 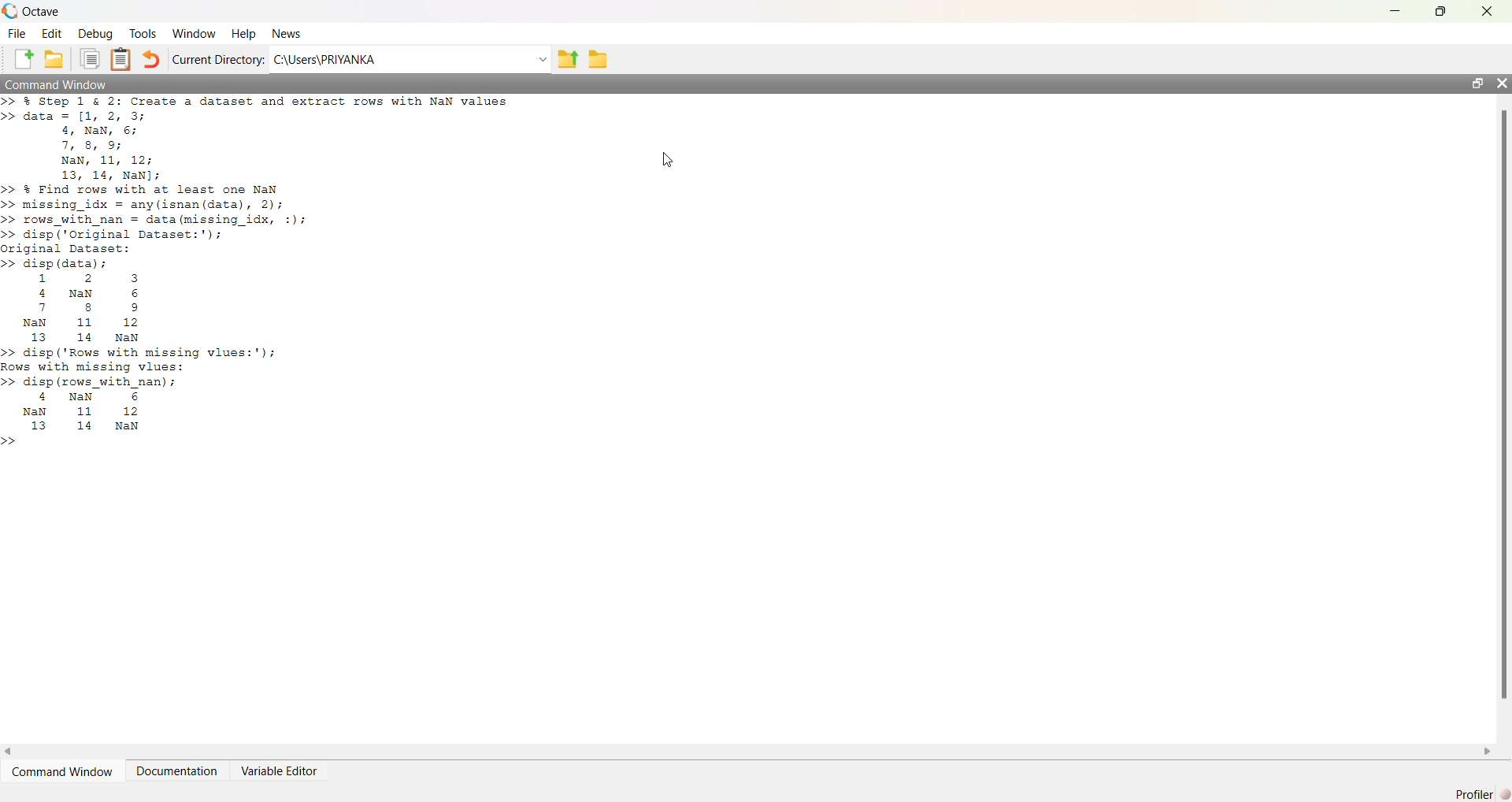 I want to click on New File, so click(x=24, y=59).